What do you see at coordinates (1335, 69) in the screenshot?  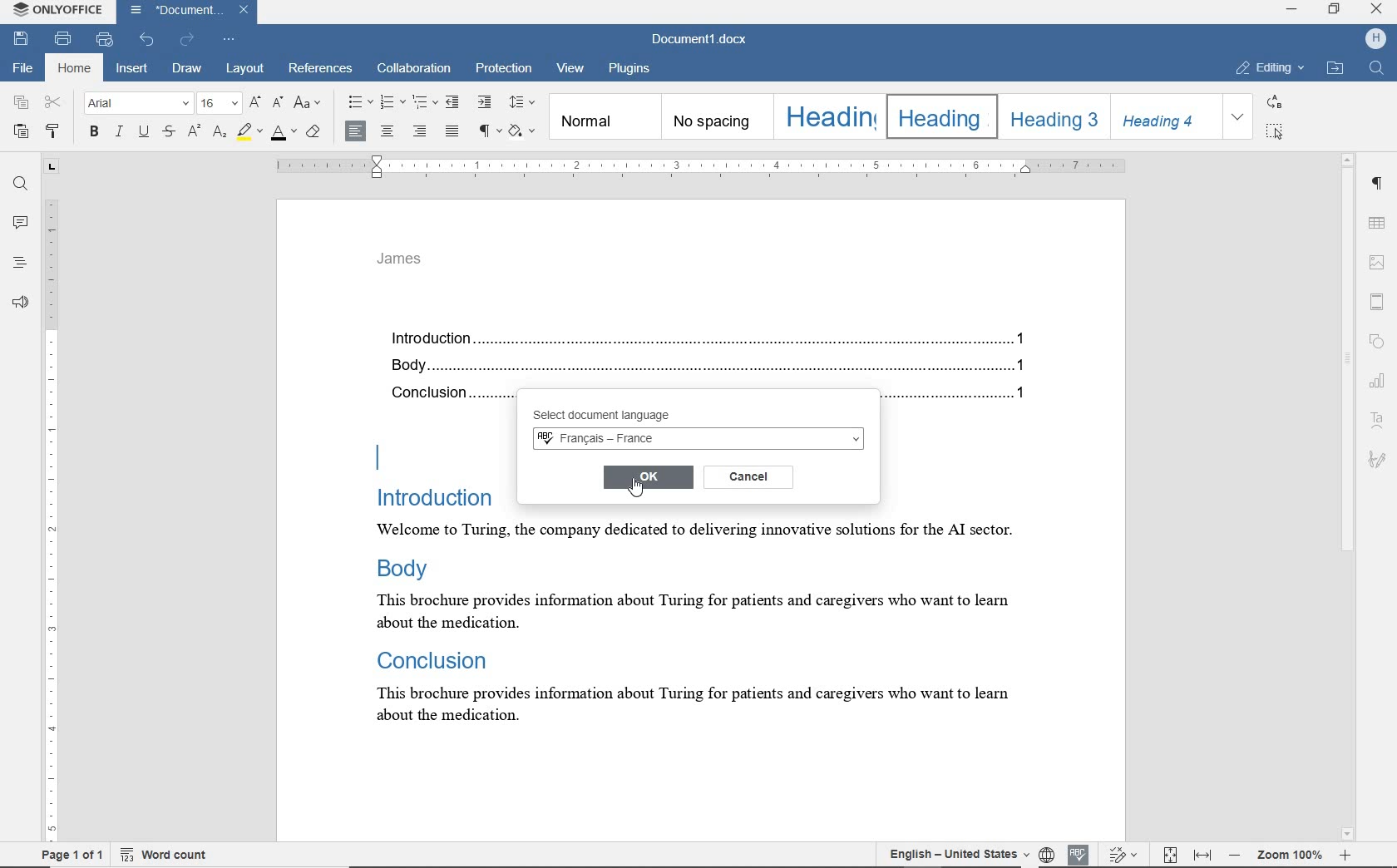 I see `OPEN FILE LOCATION` at bounding box center [1335, 69].